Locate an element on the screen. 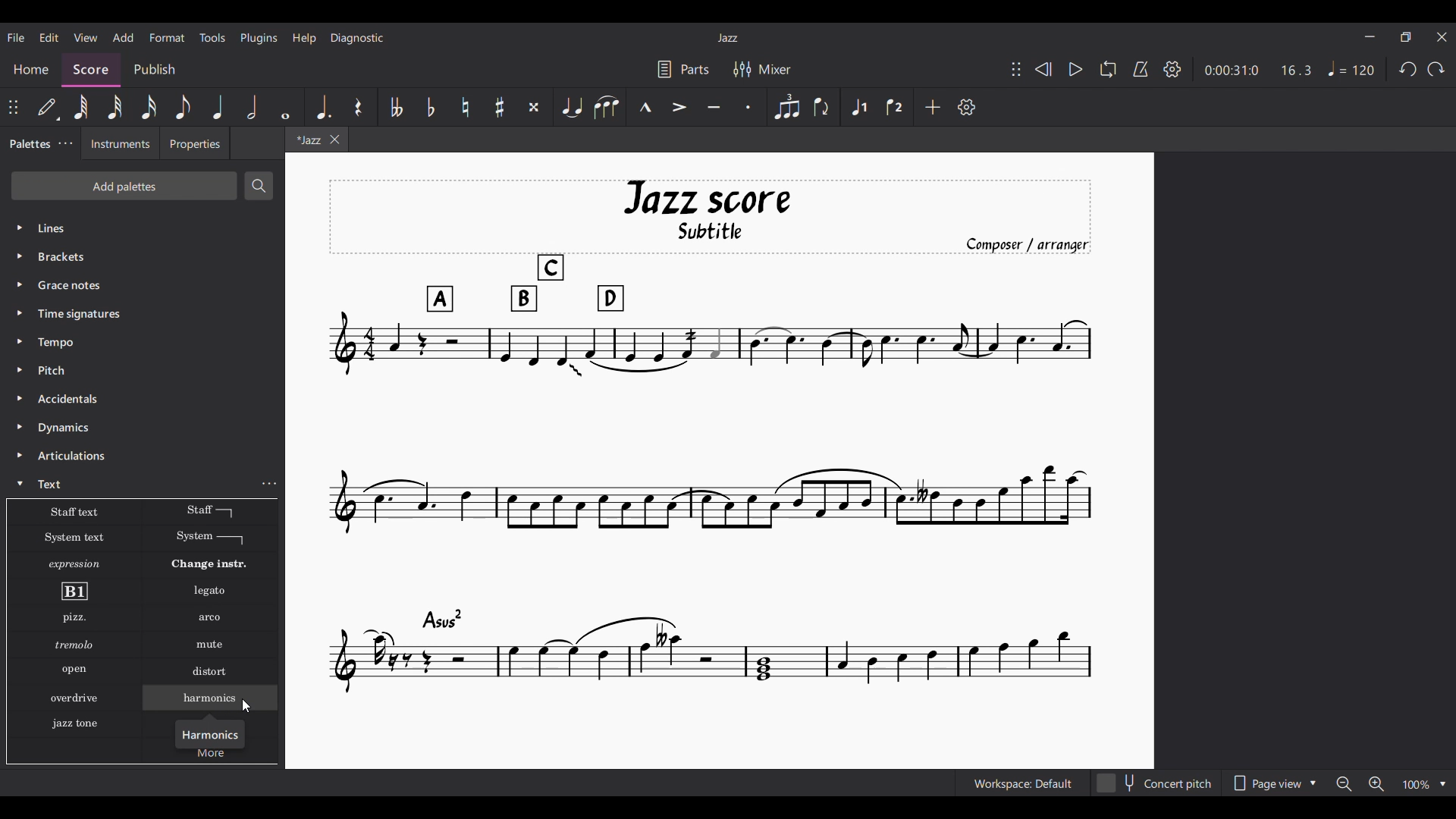 This screenshot has width=1456, height=819. Format menu is located at coordinates (168, 38).